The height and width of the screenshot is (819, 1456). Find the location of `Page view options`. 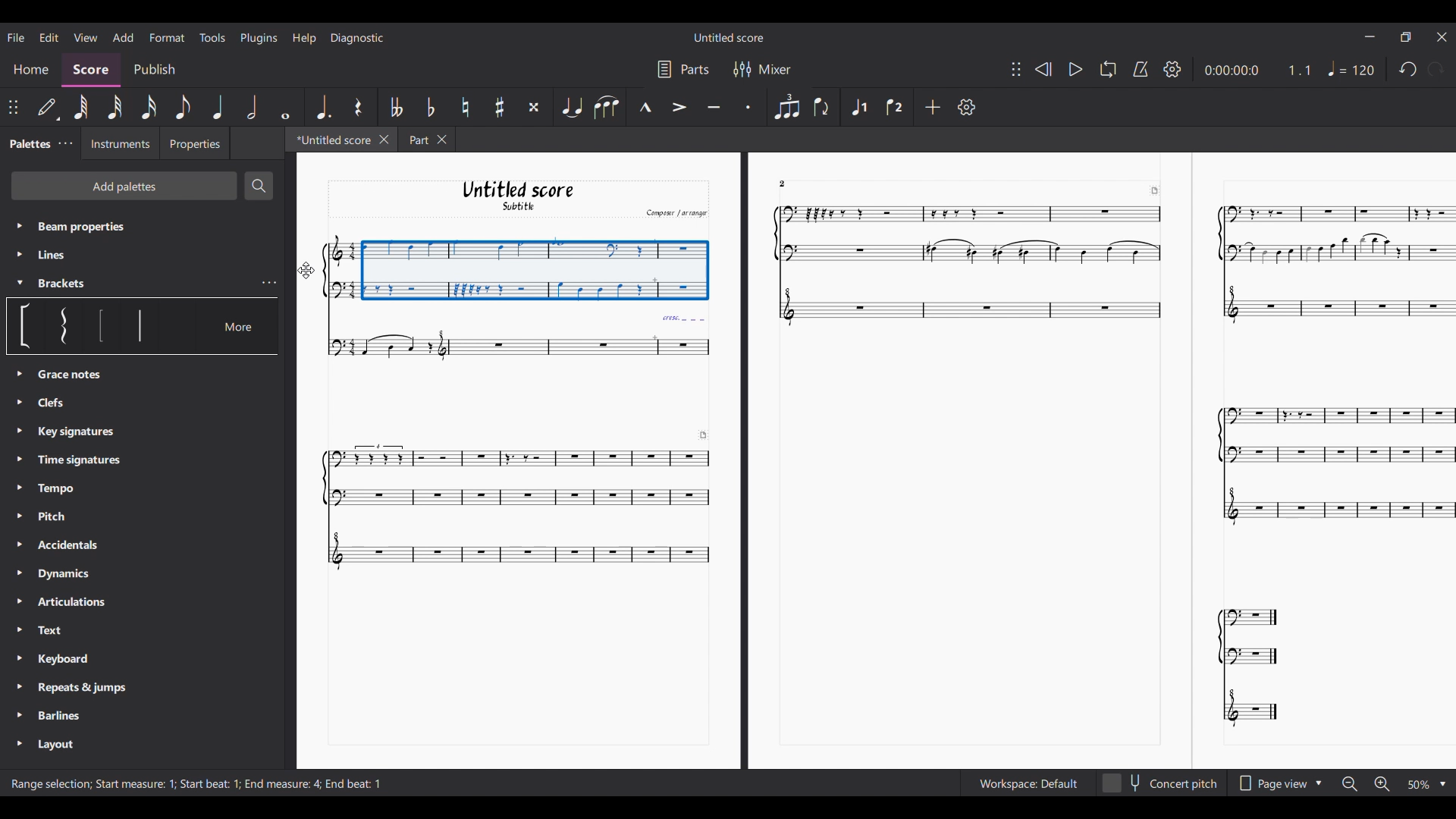

Page view options is located at coordinates (1269, 783).